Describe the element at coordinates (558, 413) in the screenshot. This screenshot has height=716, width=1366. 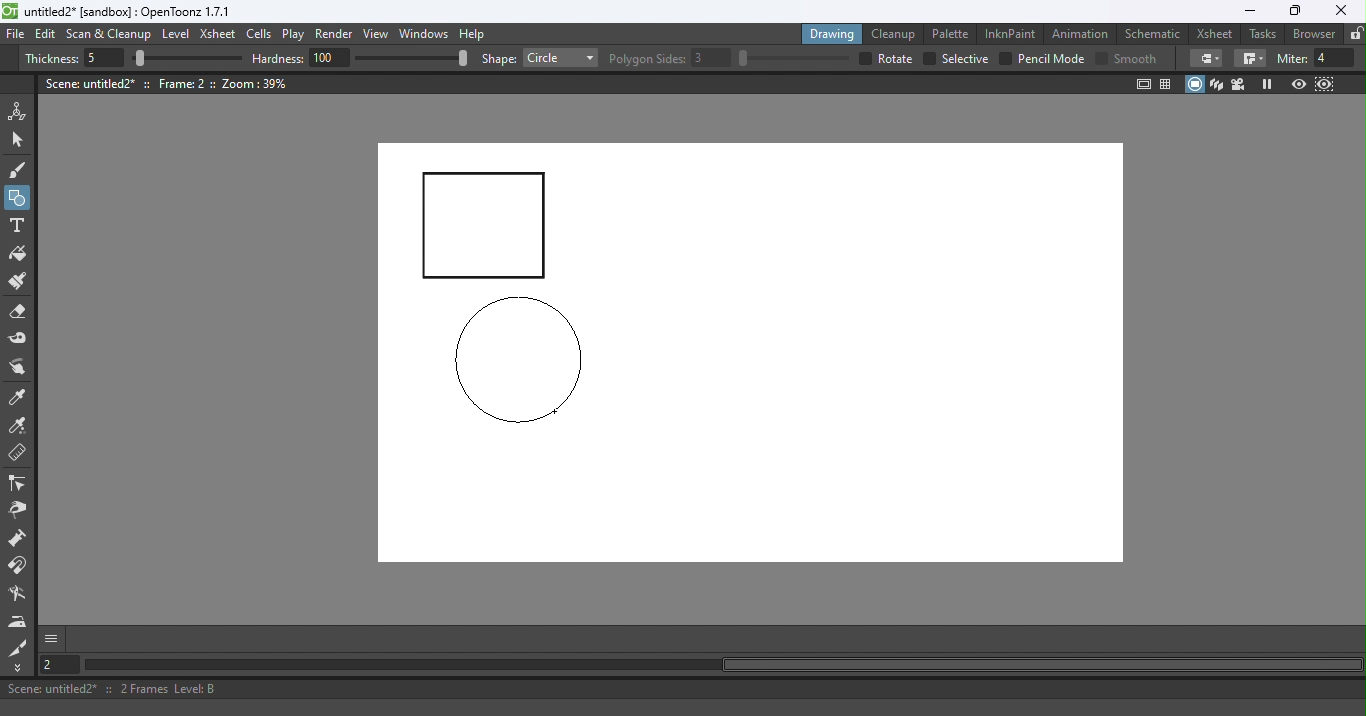
I see `Cursor` at that location.